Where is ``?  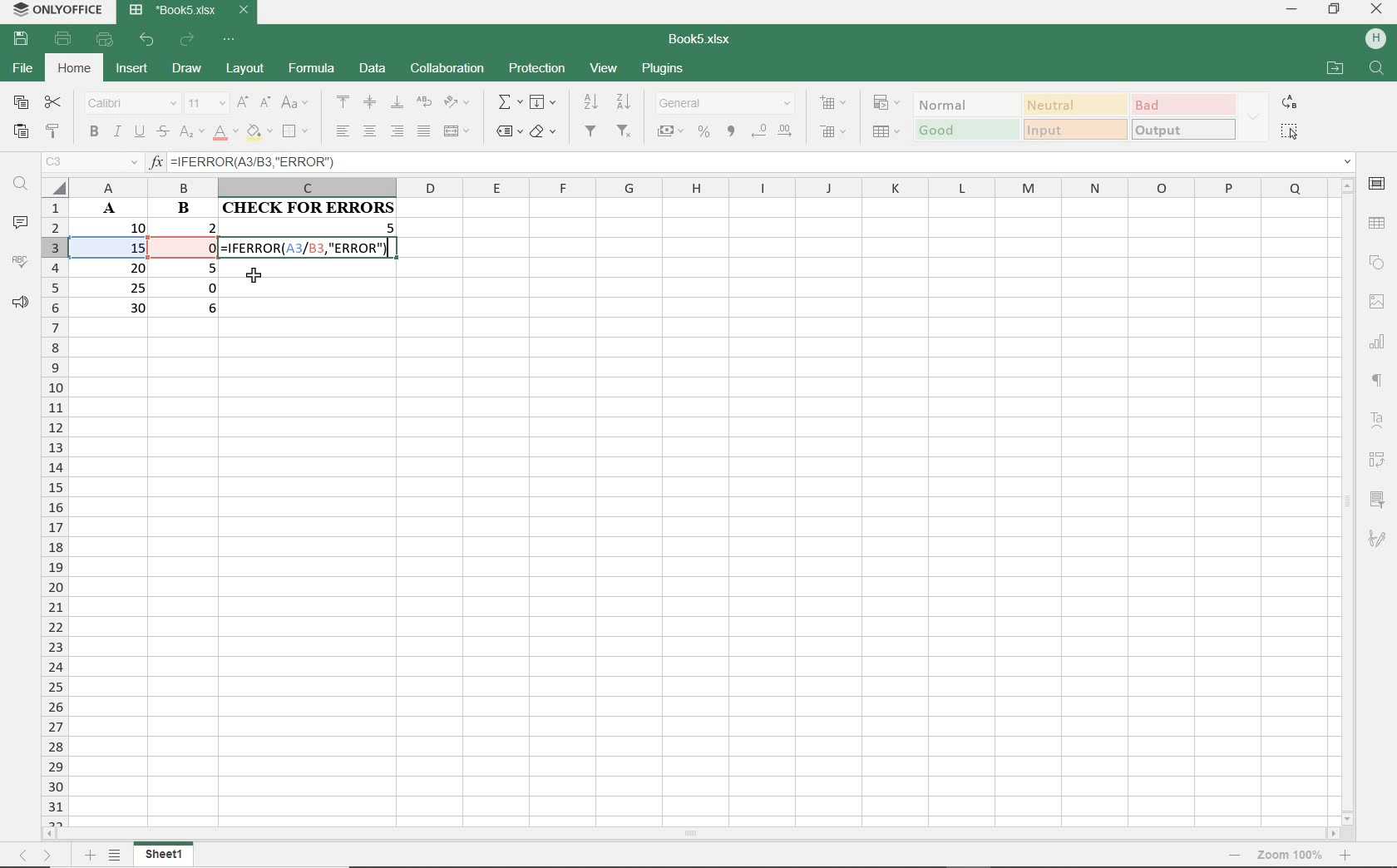  is located at coordinates (1380, 424).